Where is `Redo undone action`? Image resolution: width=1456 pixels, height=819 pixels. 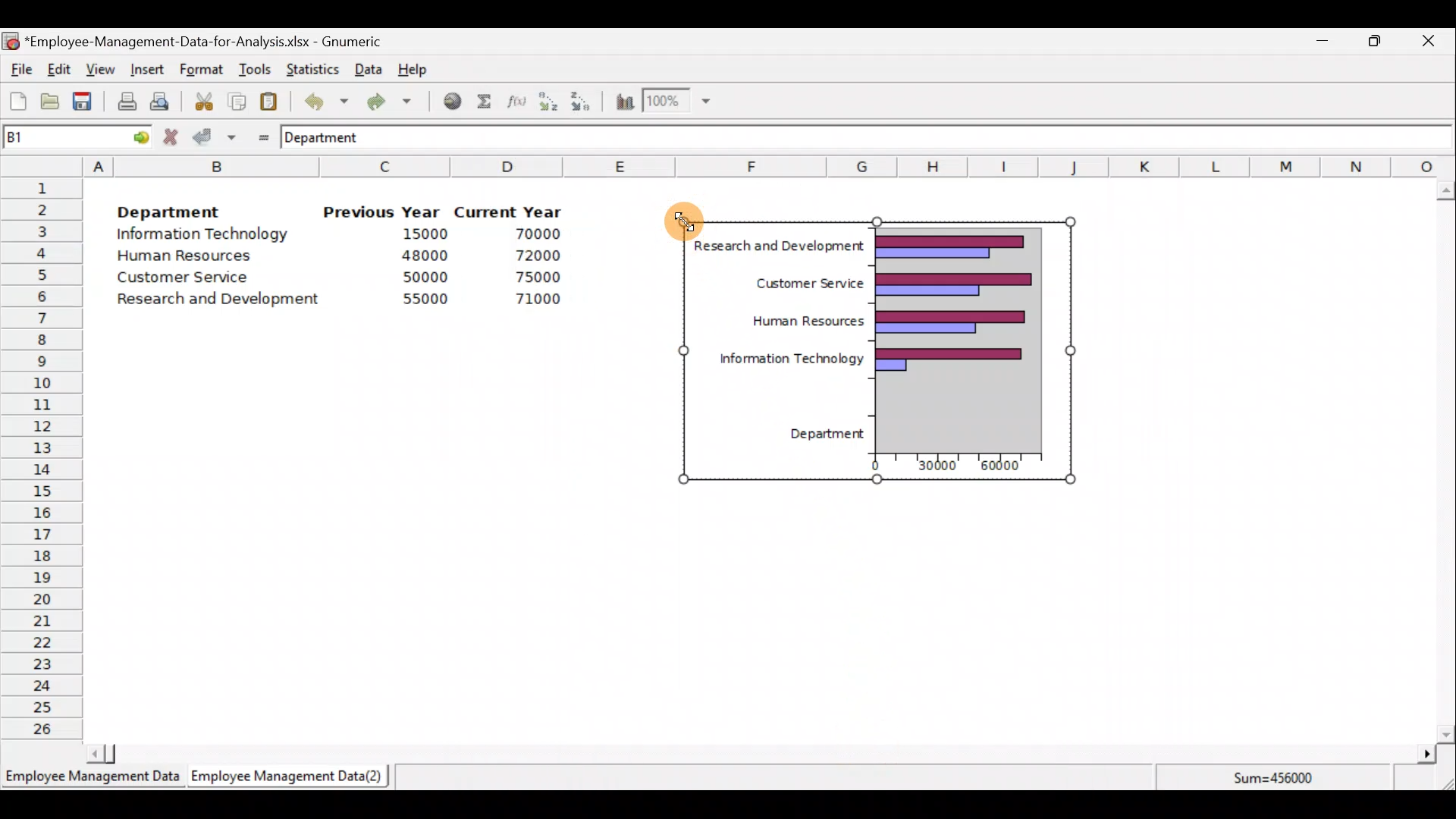
Redo undone action is located at coordinates (386, 102).